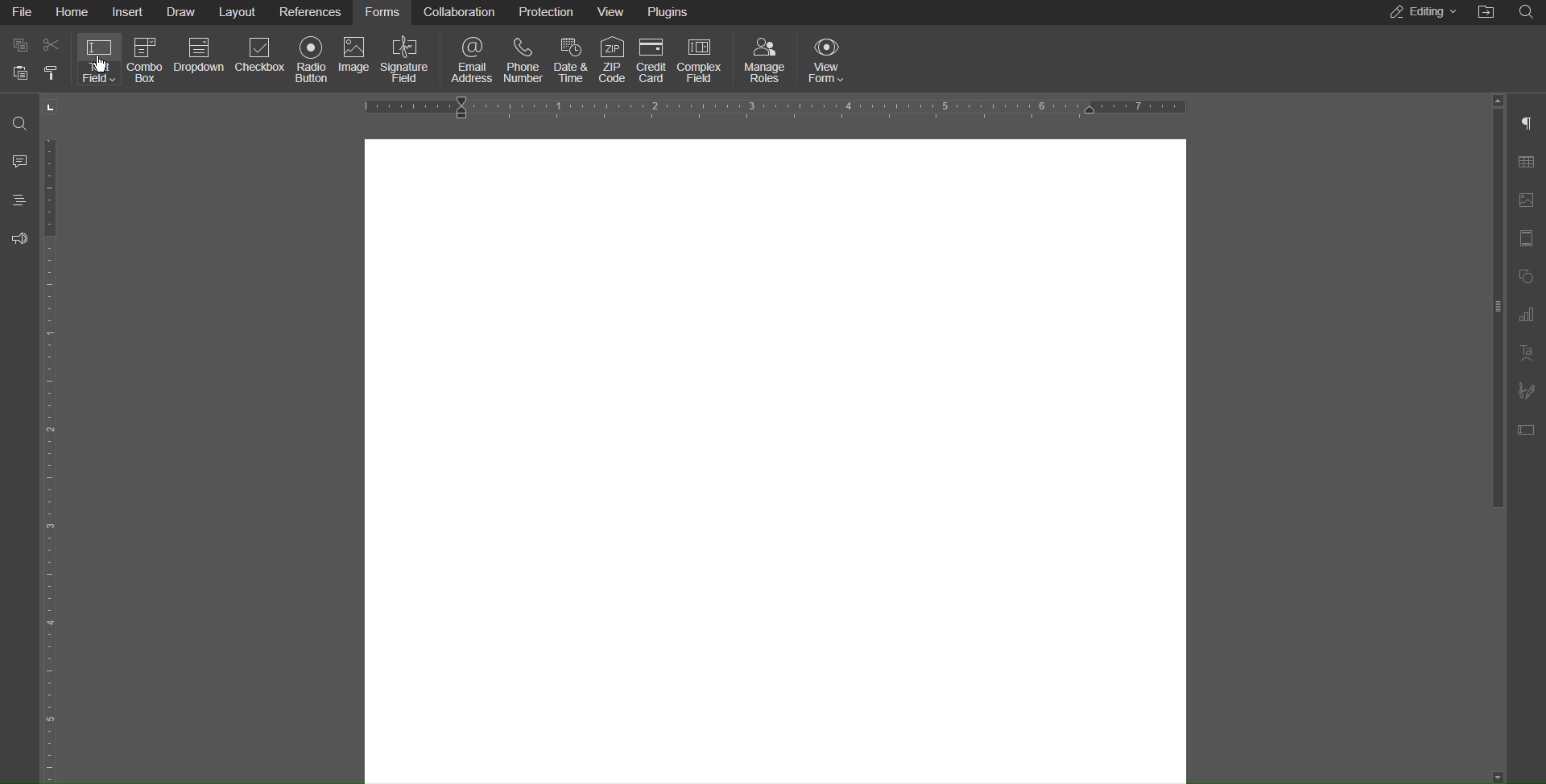  Describe the element at coordinates (780, 105) in the screenshot. I see `Horizontal Ruler` at that location.